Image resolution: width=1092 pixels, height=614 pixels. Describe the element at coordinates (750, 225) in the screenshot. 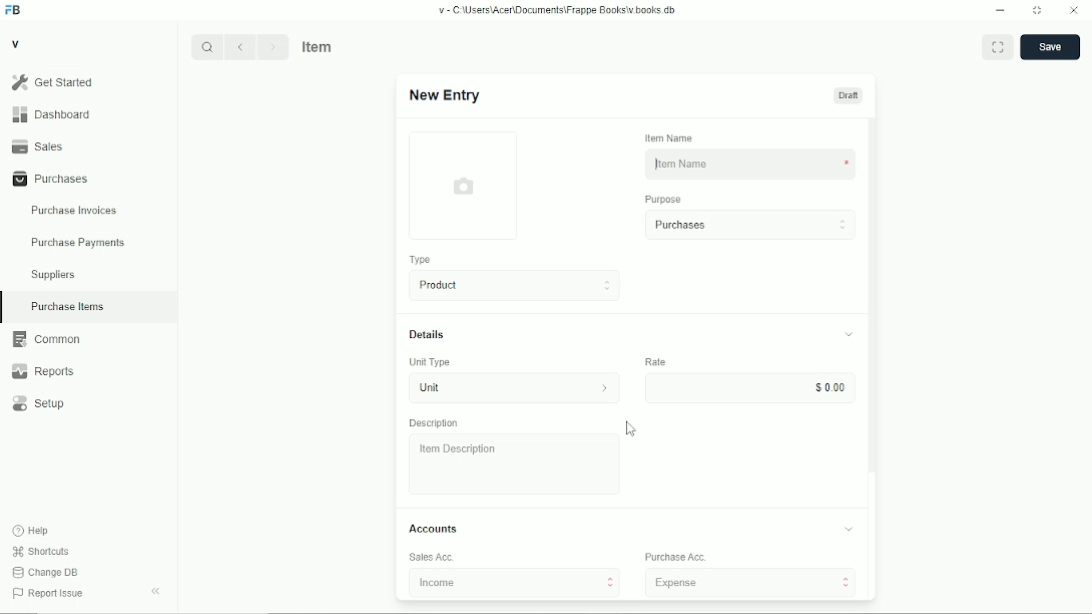

I see `purchases` at that location.